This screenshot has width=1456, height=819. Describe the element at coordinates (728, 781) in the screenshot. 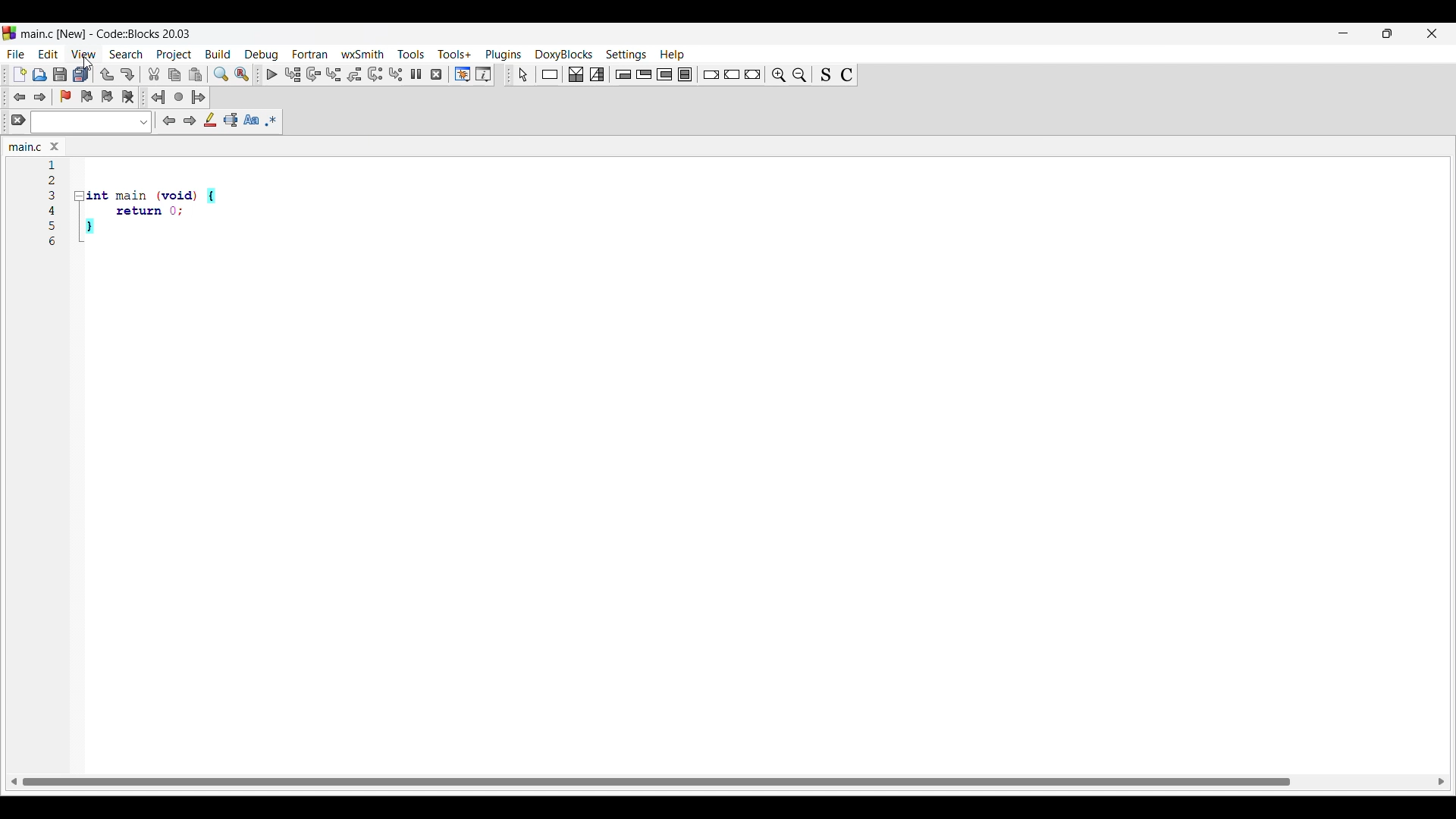

I see `Horizontal slide bar` at that location.